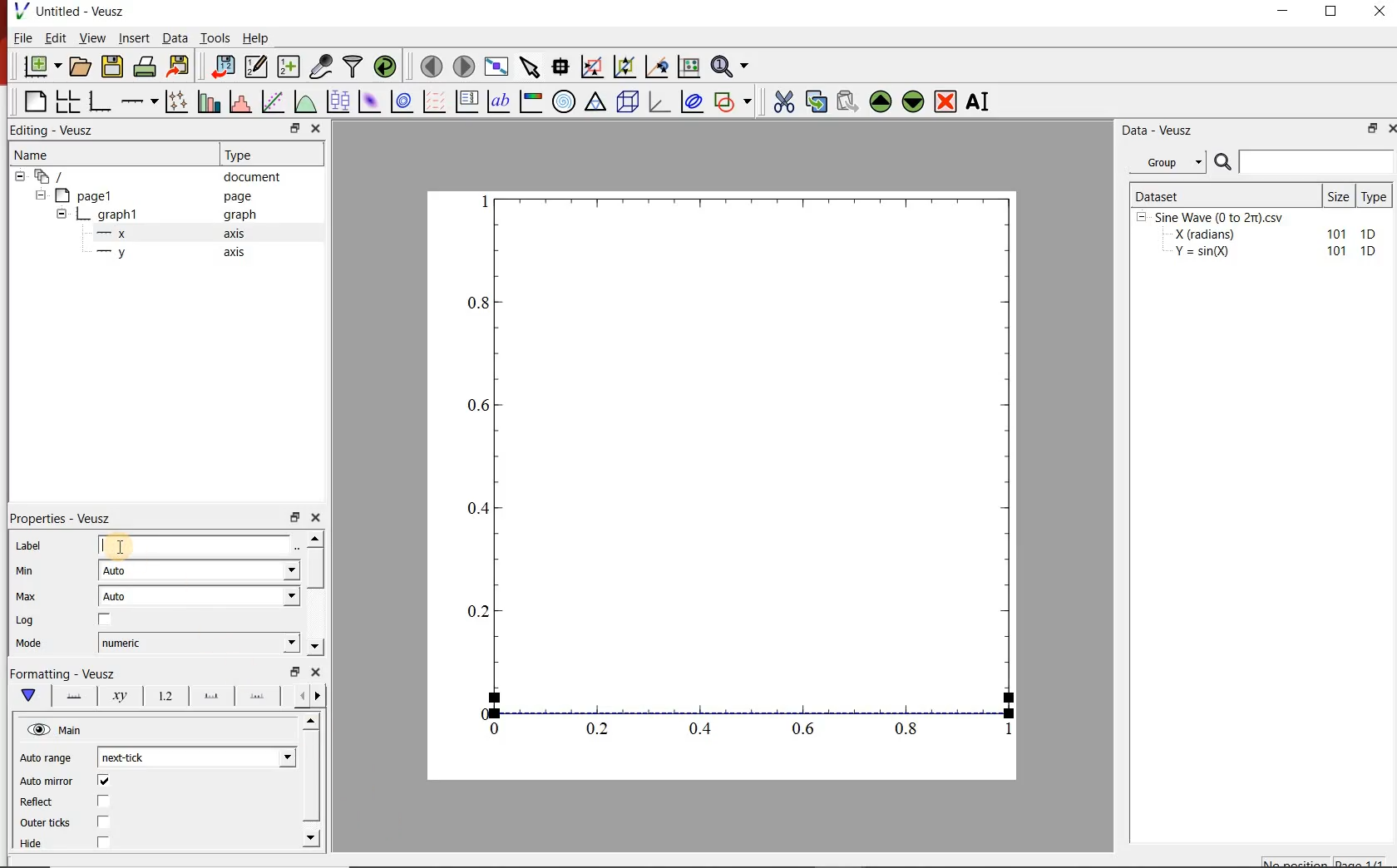 The width and height of the screenshot is (1397, 868). What do you see at coordinates (1258, 239) in the screenshot?
I see `Sine Wave (0 to 2m).csvX (radians) 101 1DY =sin(Q) 101 1D` at bounding box center [1258, 239].